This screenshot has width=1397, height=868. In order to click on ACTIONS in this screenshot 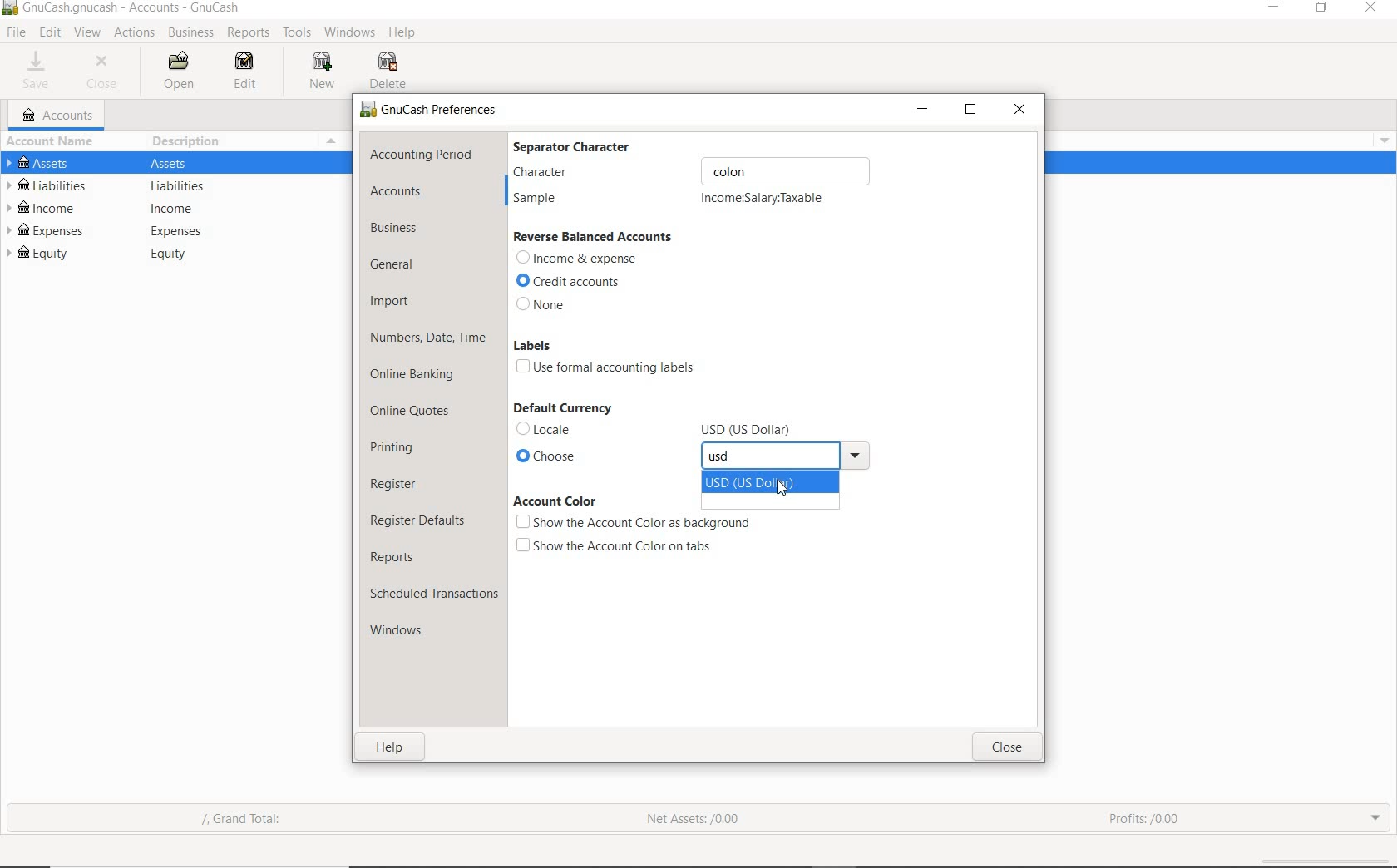, I will do `click(134, 33)`.